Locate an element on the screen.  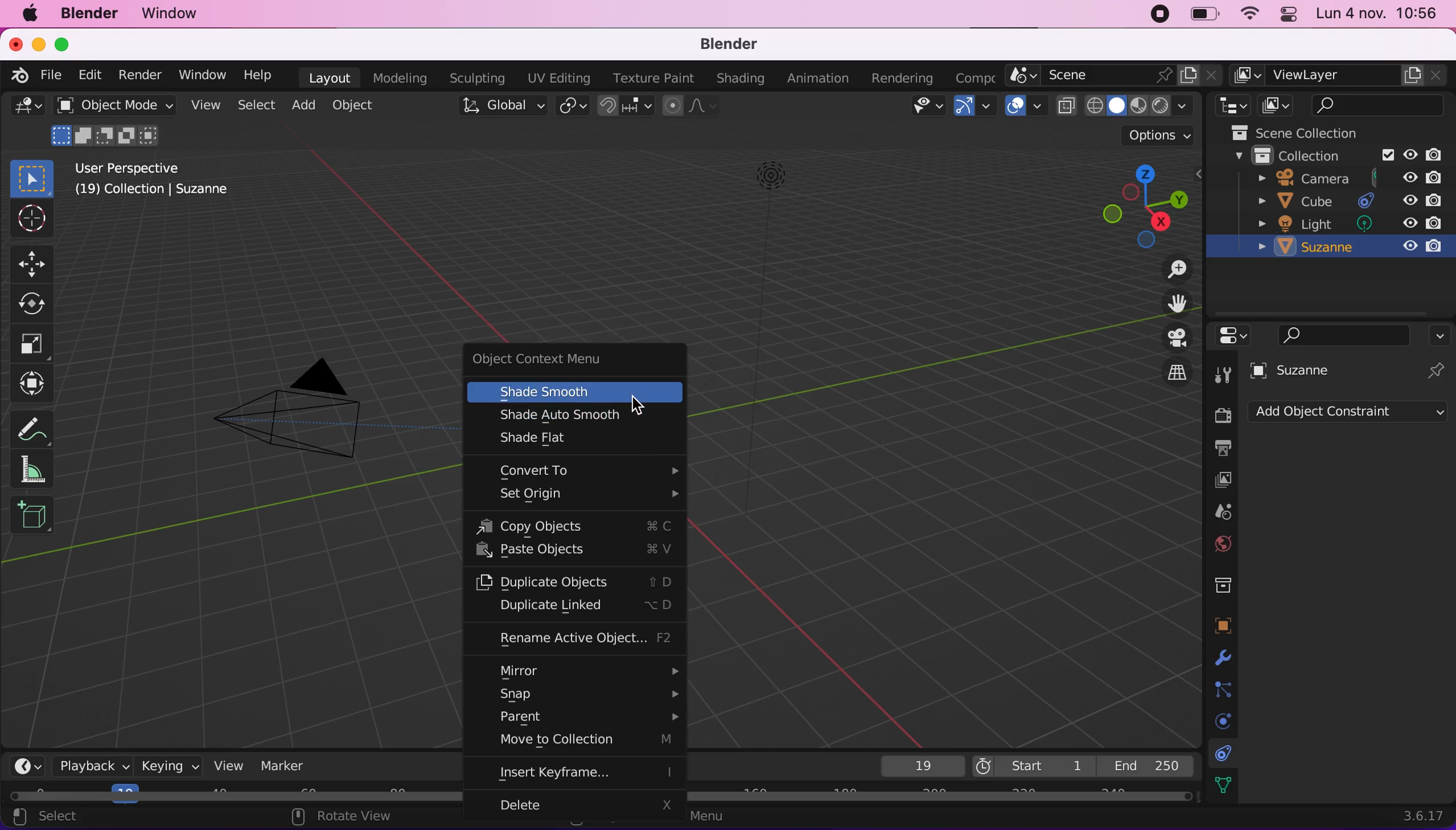
select box is located at coordinates (32, 176).